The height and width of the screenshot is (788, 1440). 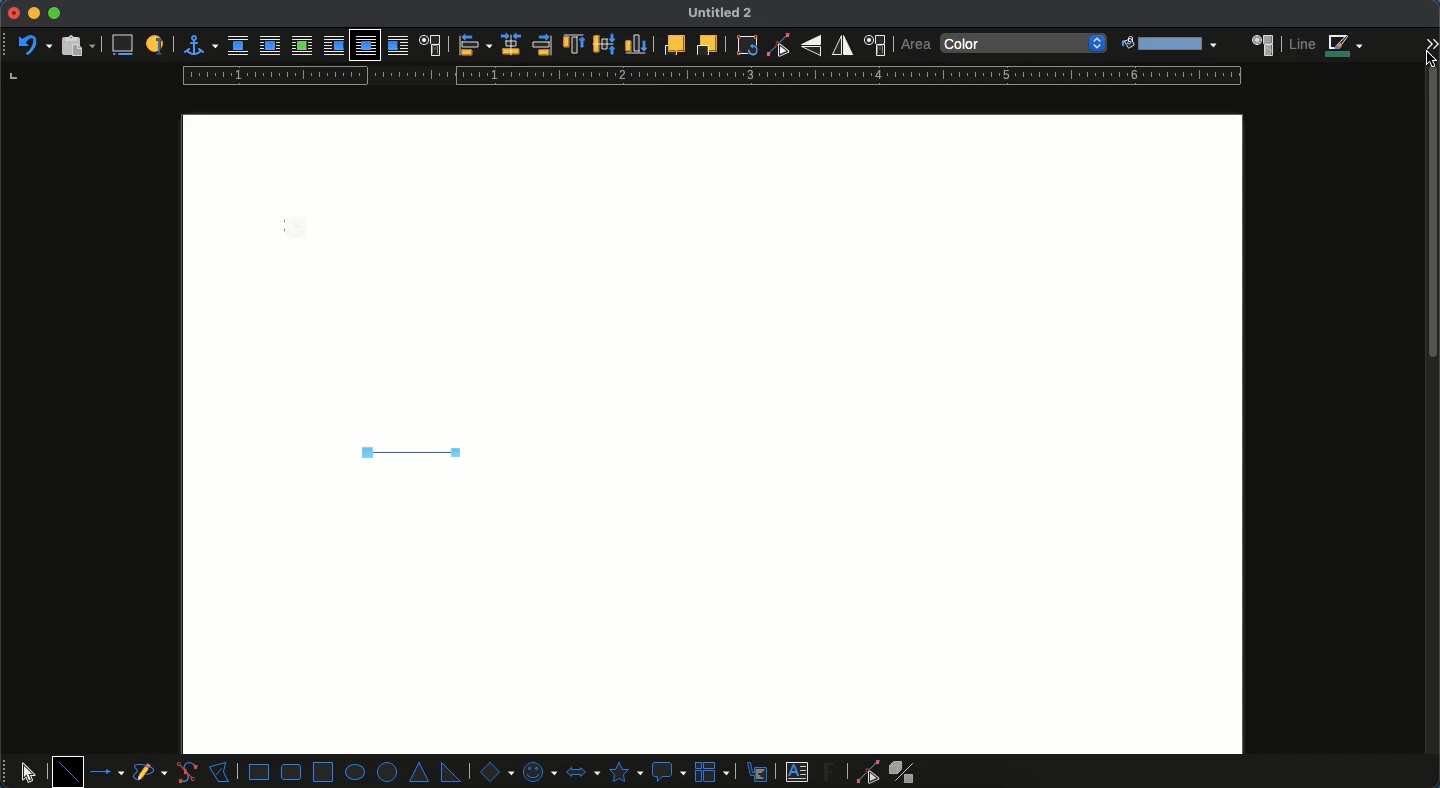 I want to click on scroll, so click(x=1433, y=434).